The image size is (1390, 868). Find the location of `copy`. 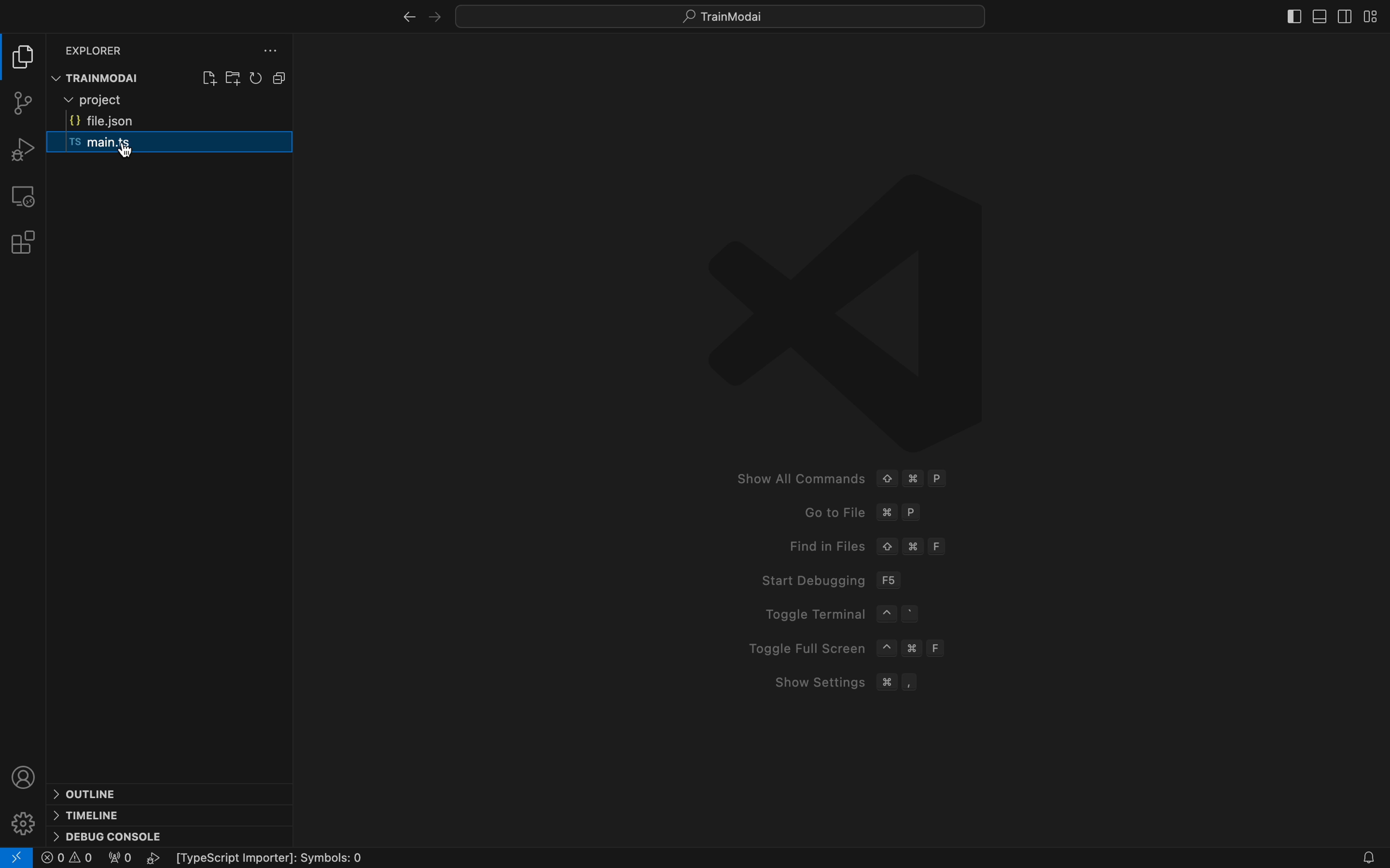

copy is located at coordinates (283, 80).